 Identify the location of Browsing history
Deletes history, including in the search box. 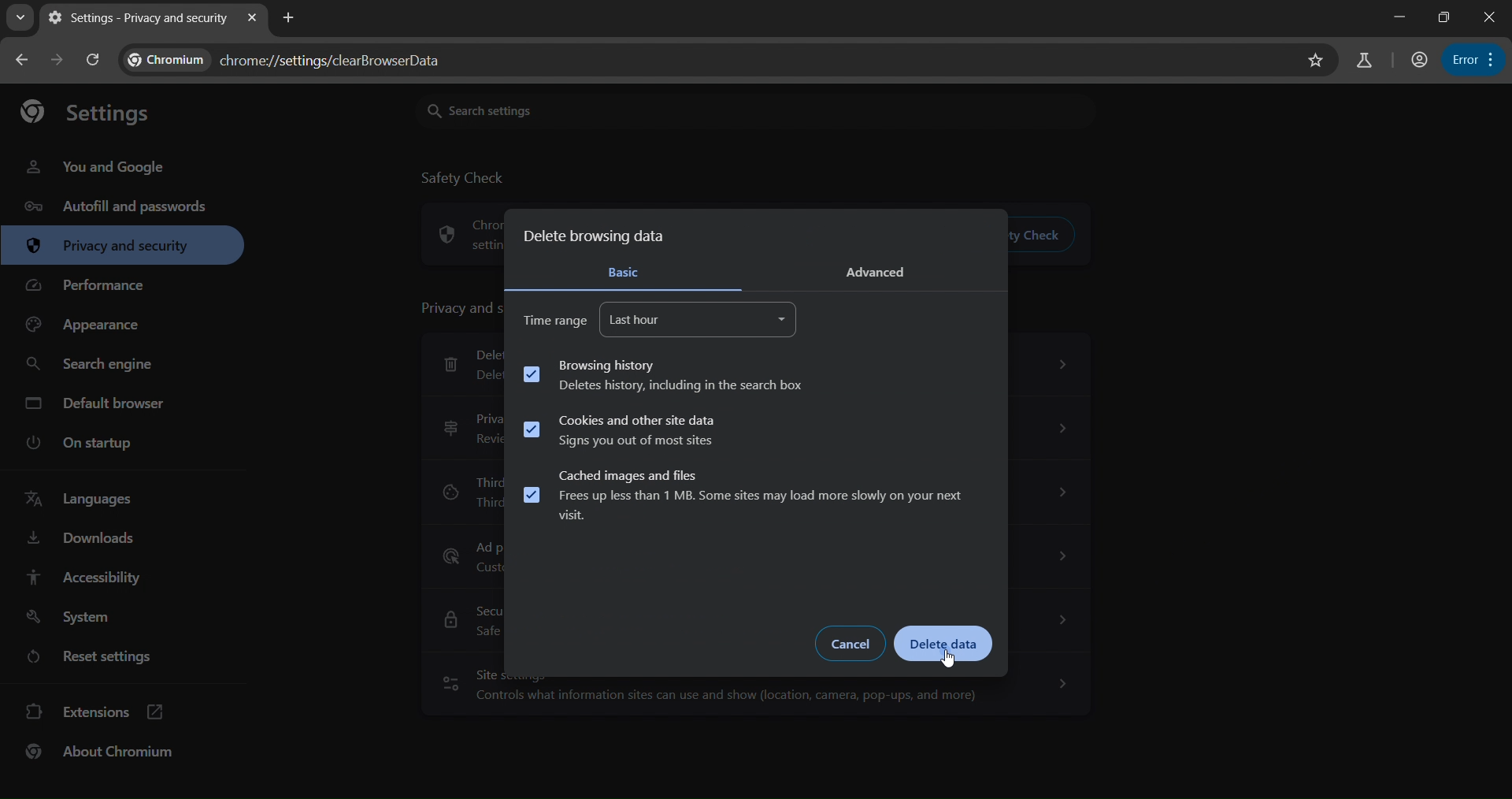
(666, 375).